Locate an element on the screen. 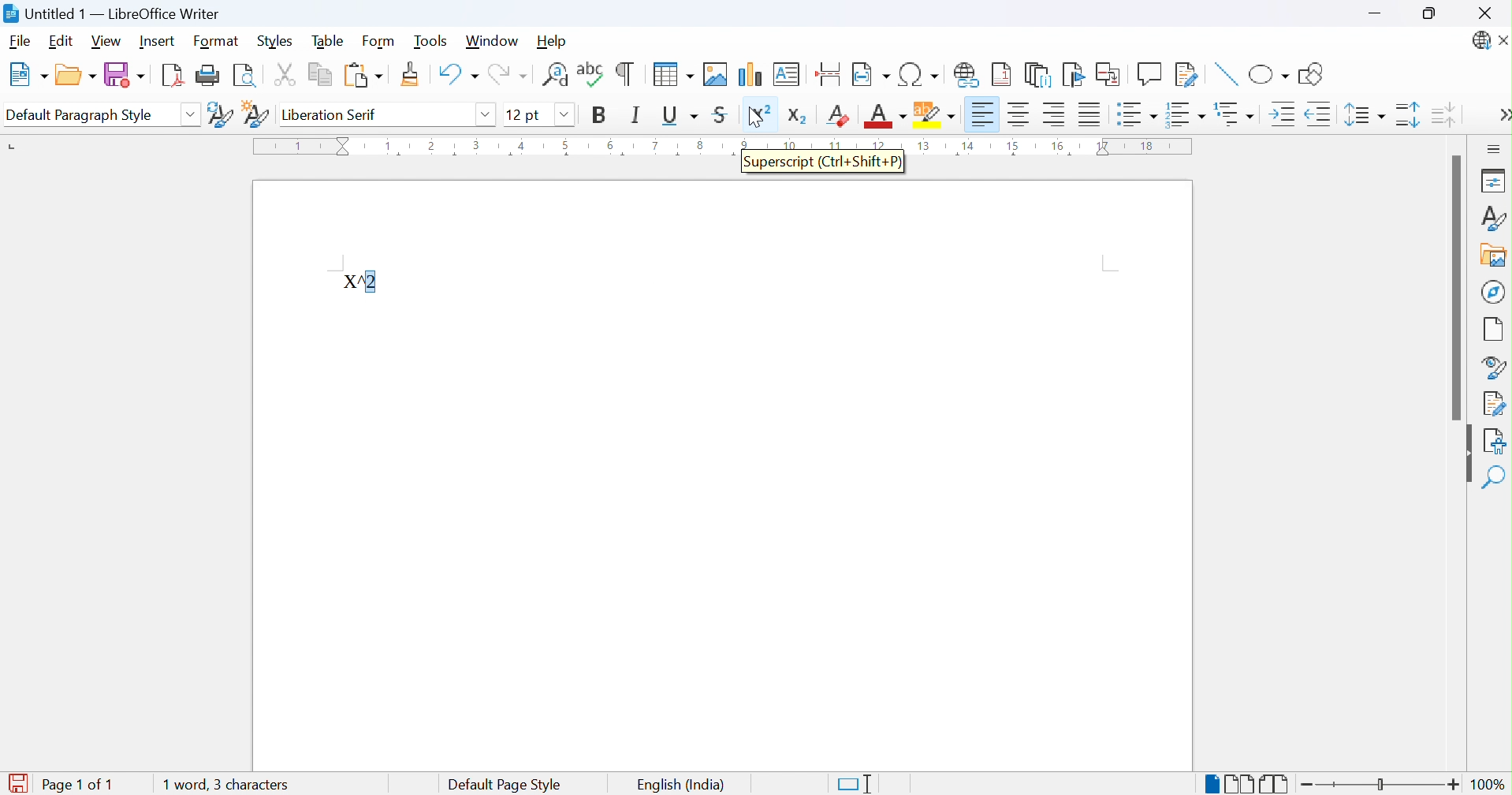  Untitled 1 - LibreOffice Writer is located at coordinates (114, 13).